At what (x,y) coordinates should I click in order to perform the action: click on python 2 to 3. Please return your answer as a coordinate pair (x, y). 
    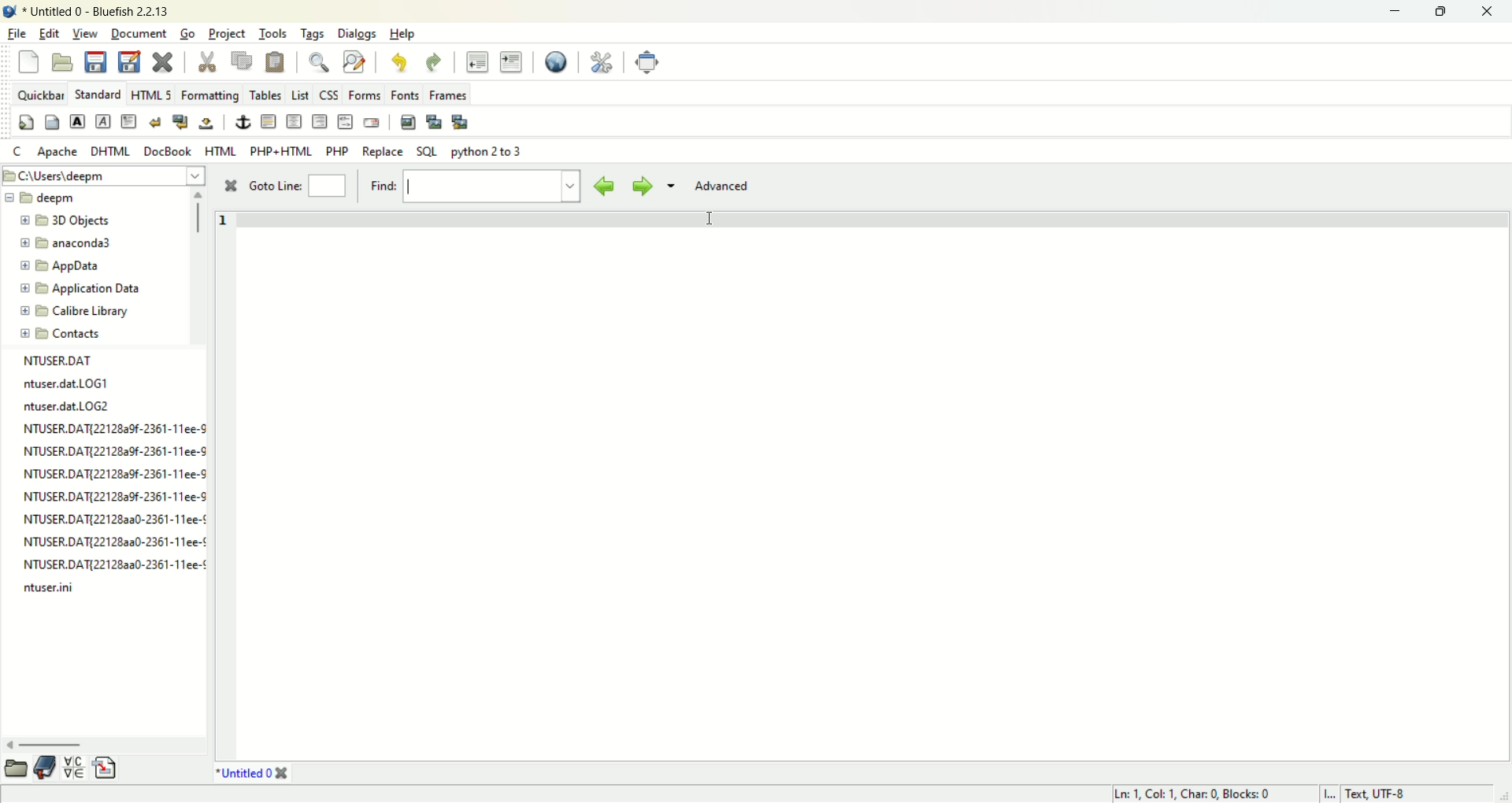
    Looking at the image, I should click on (487, 151).